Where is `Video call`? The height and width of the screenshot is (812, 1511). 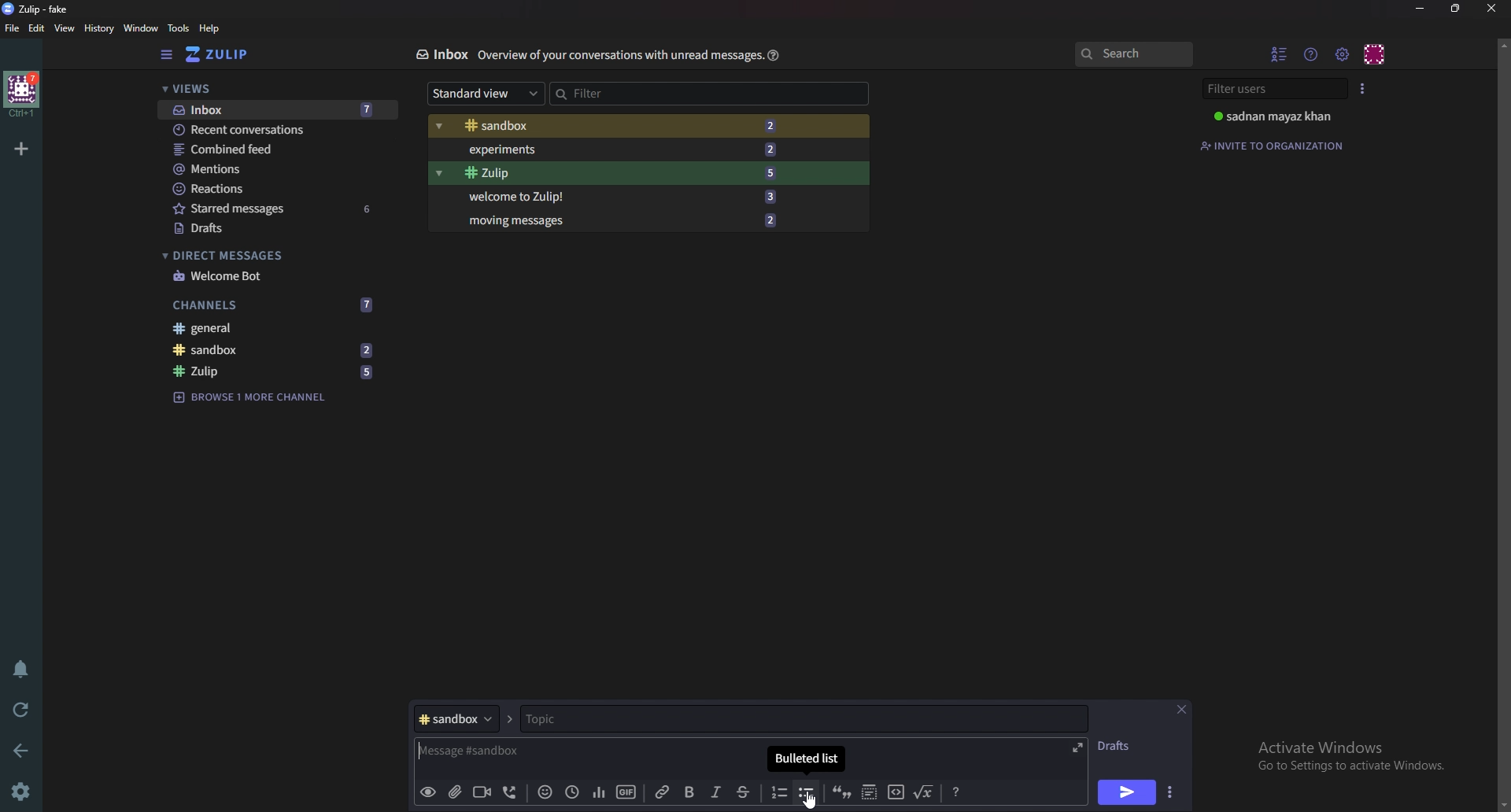
Video call is located at coordinates (481, 791).